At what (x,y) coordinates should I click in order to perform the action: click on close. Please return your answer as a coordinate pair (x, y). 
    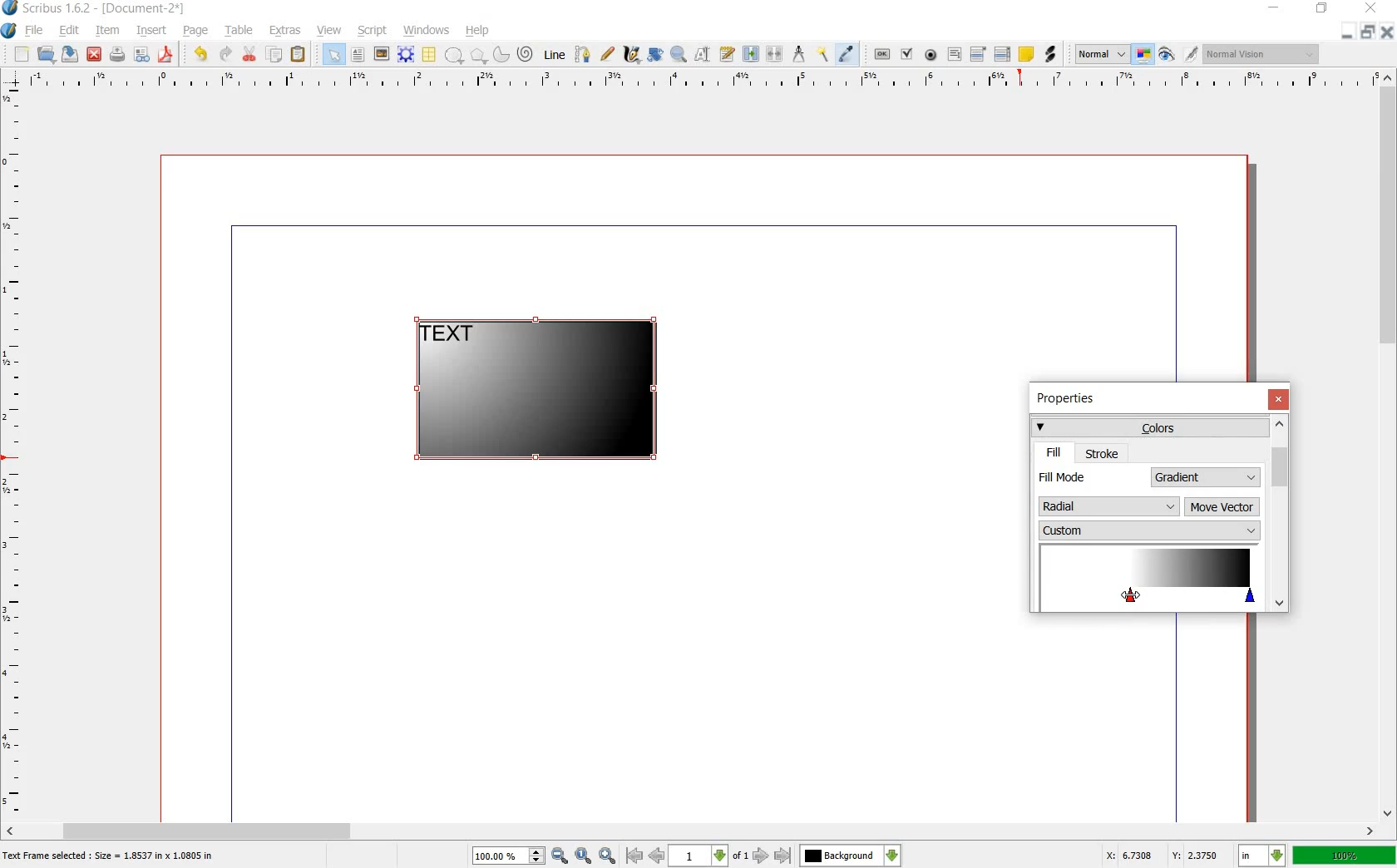
    Looking at the image, I should click on (1278, 399).